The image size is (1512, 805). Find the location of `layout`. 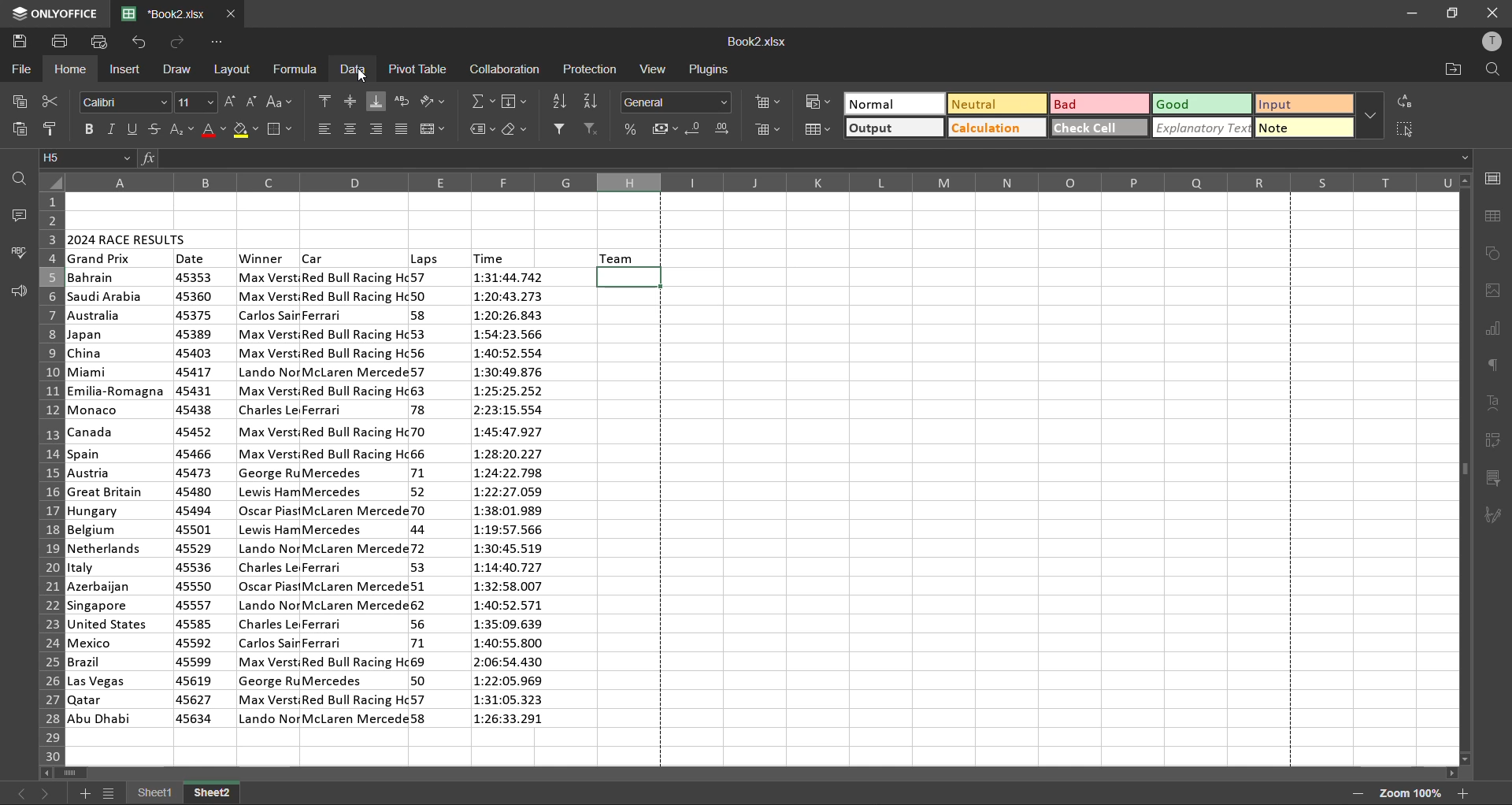

layout is located at coordinates (235, 70).